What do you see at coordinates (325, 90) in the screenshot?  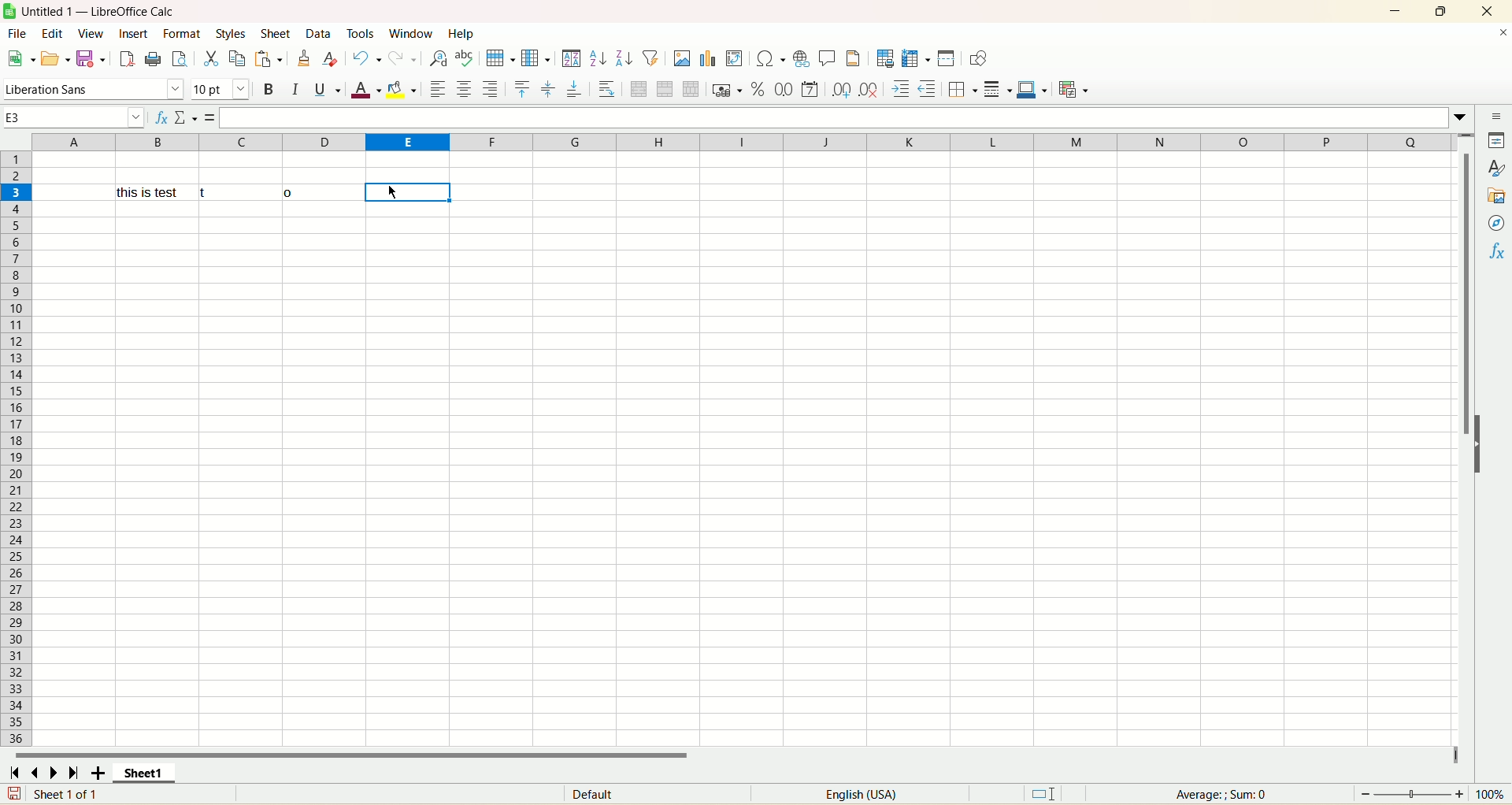 I see `underline` at bounding box center [325, 90].